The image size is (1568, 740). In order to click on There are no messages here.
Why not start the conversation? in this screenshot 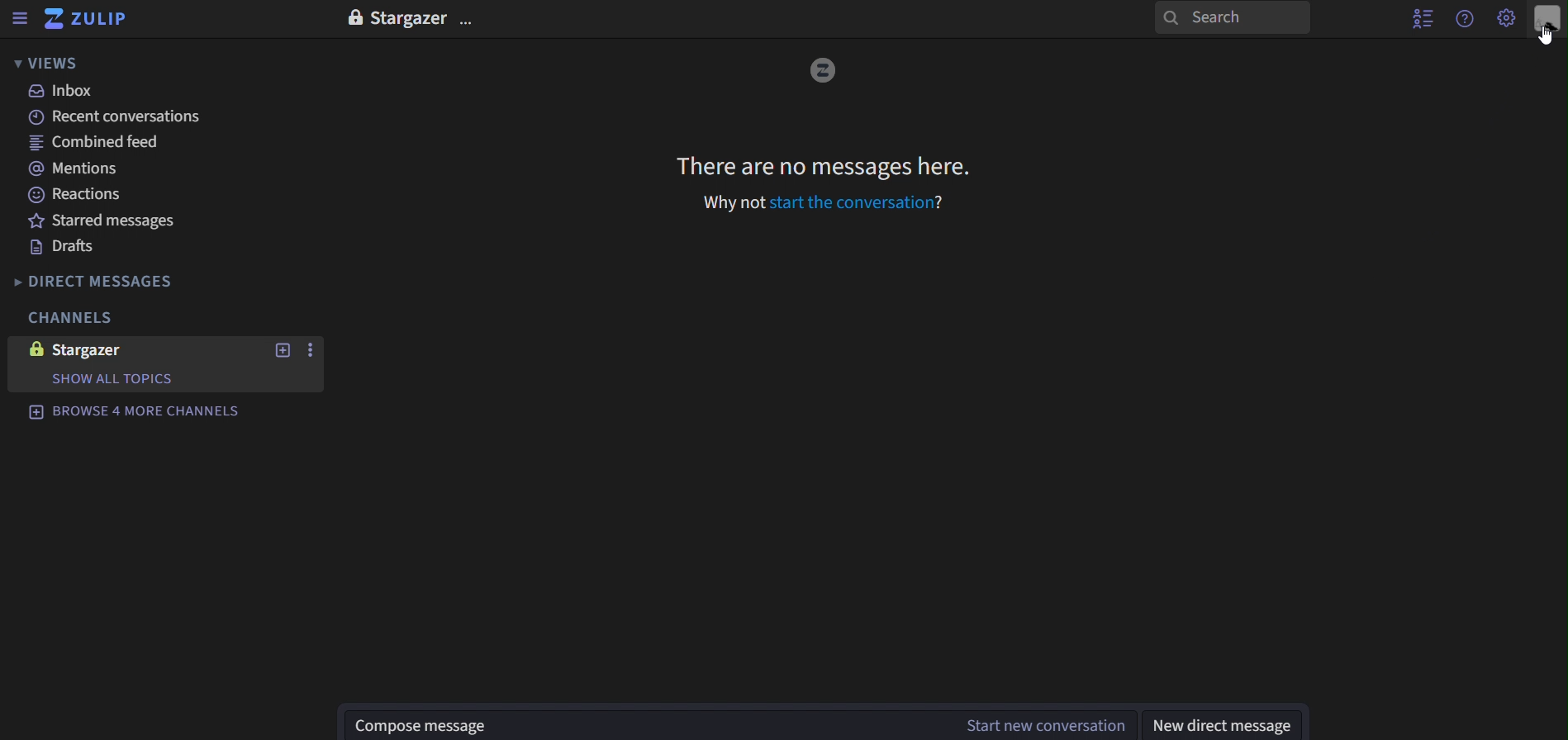, I will do `click(824, 166)`.